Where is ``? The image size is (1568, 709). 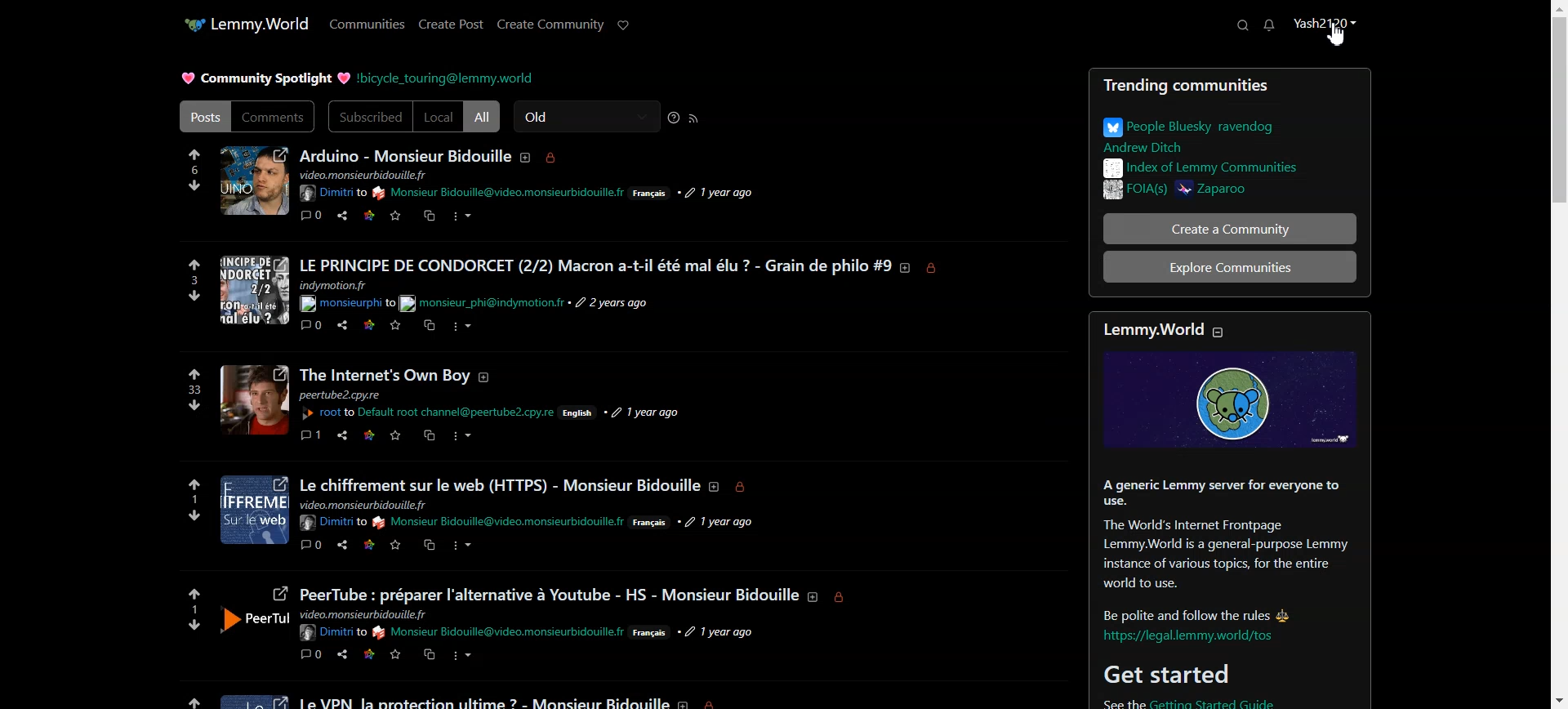
 is located at coordinates (254, 399).